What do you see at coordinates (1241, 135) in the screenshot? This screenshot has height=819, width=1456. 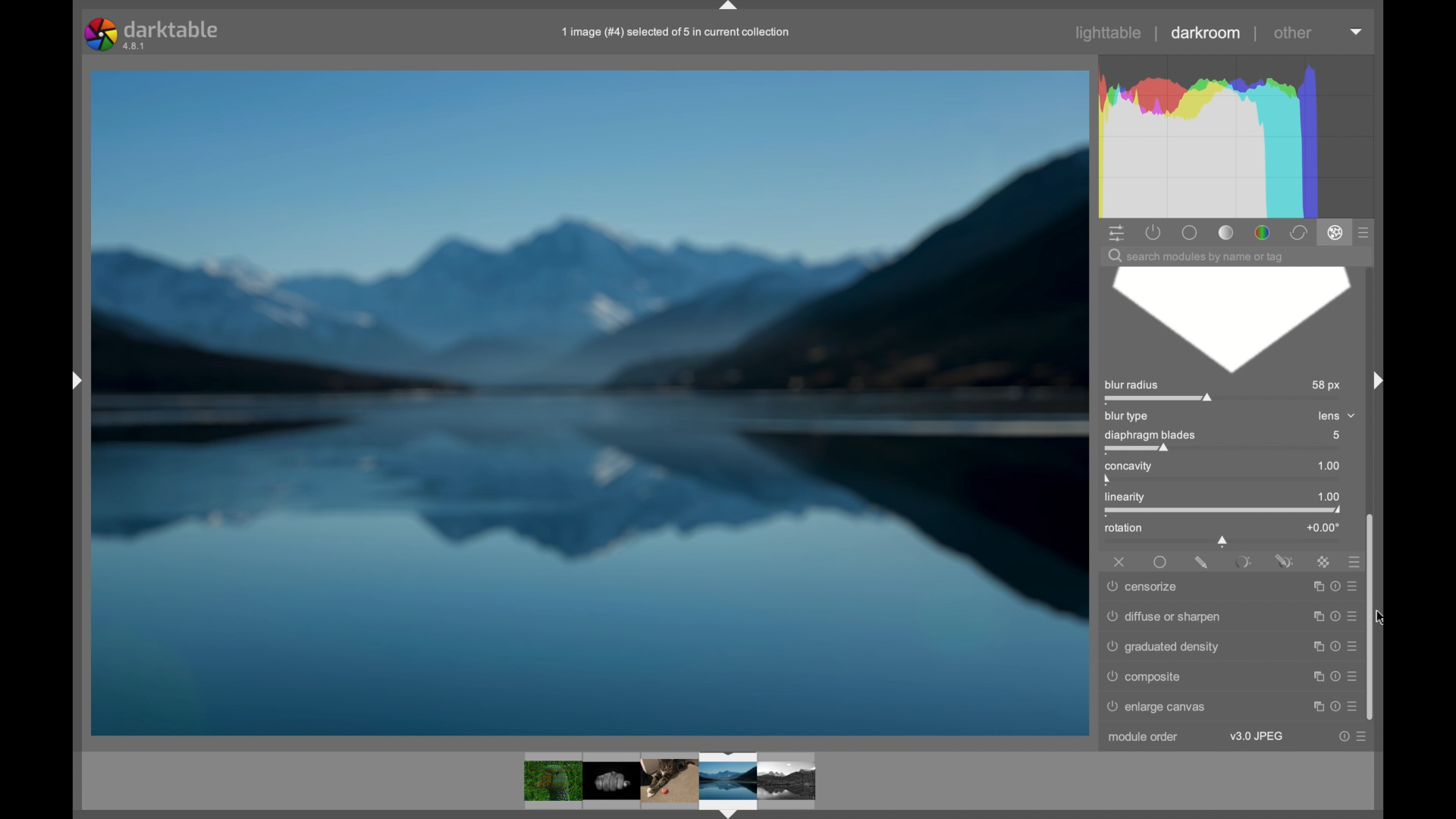 I see `histogram` at bounding box center [1241, 135].